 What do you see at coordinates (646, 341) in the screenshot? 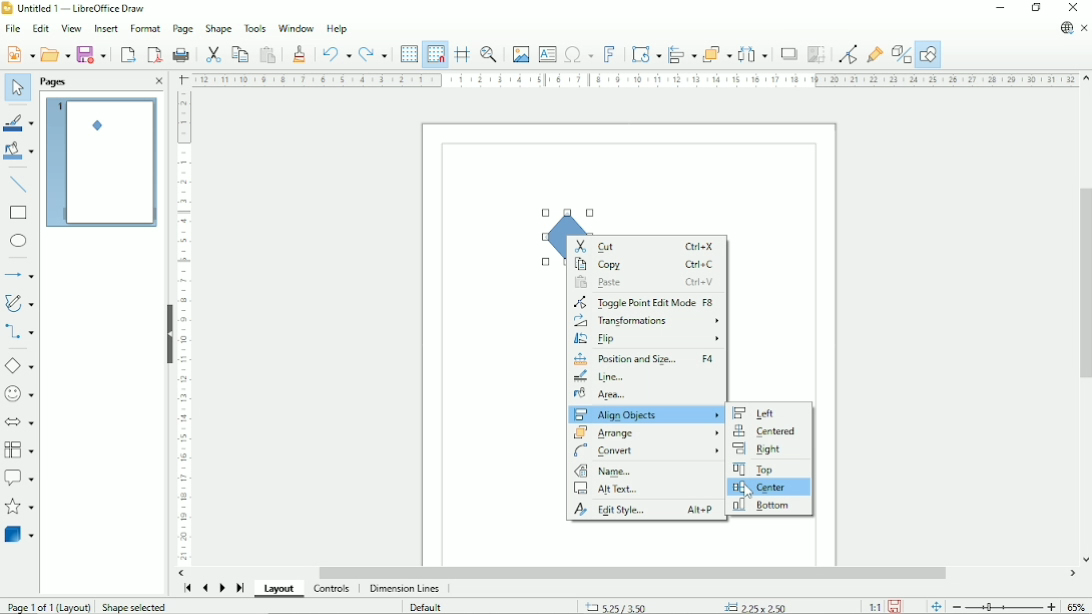
I see `Flip` at bounding box center [646, 341].